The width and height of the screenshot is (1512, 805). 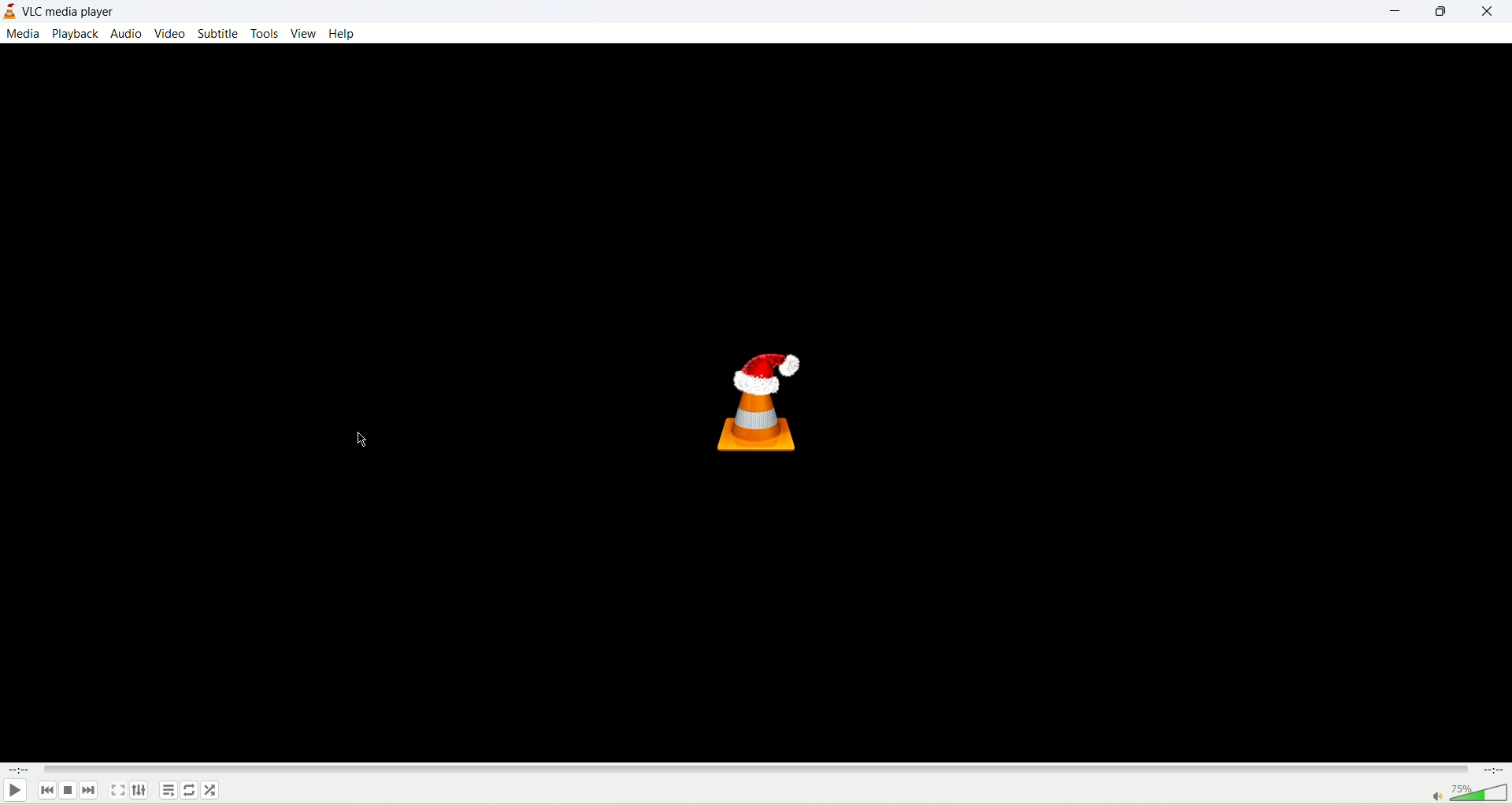 What do you see at coordinates (139, 790) in the screenshot?
I see `audio/subtitle track` at bounding box center [139, 790].